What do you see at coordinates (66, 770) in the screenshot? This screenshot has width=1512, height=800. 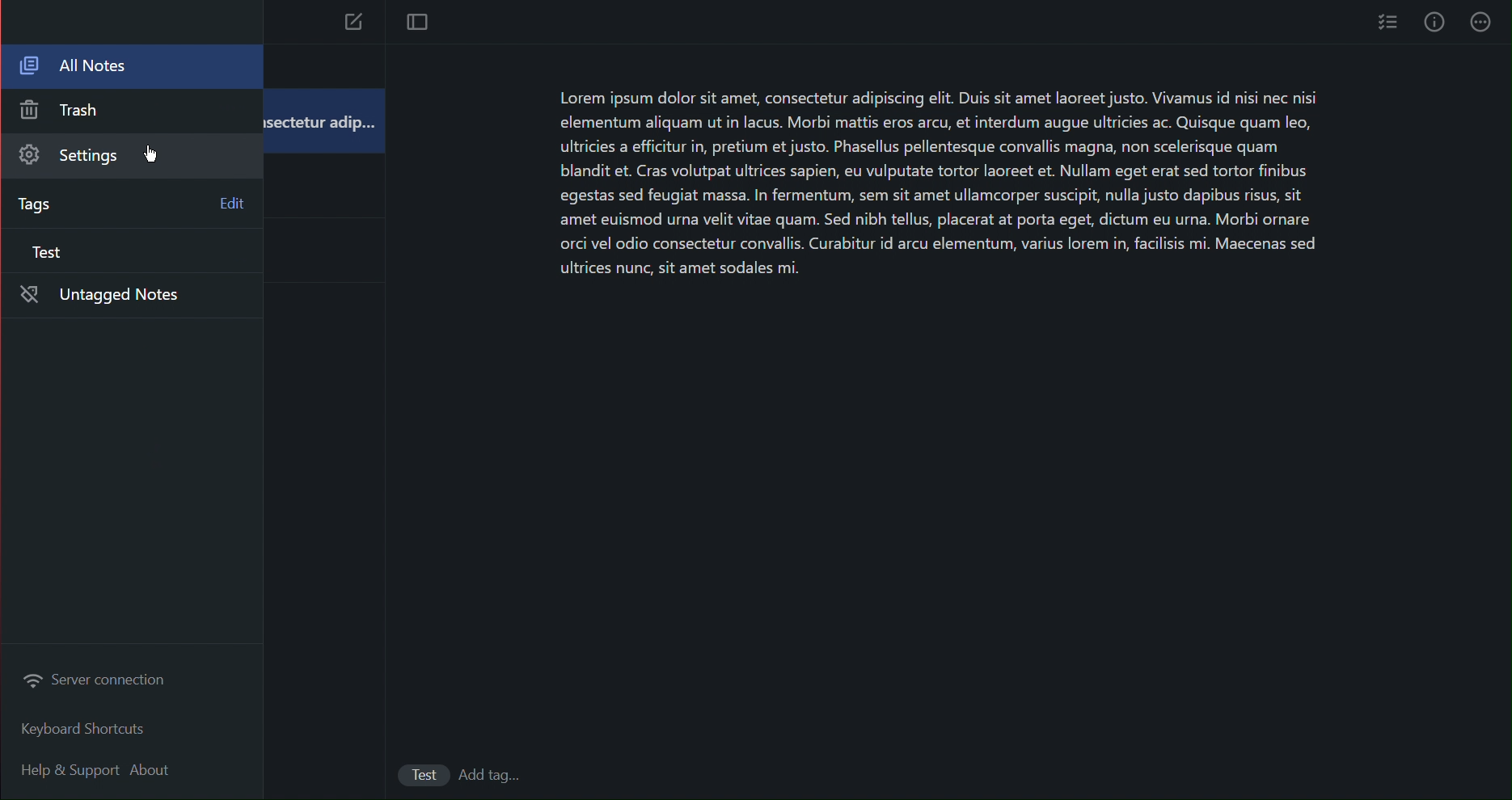 I see `Help and Support` at bounding box center [66, 770].